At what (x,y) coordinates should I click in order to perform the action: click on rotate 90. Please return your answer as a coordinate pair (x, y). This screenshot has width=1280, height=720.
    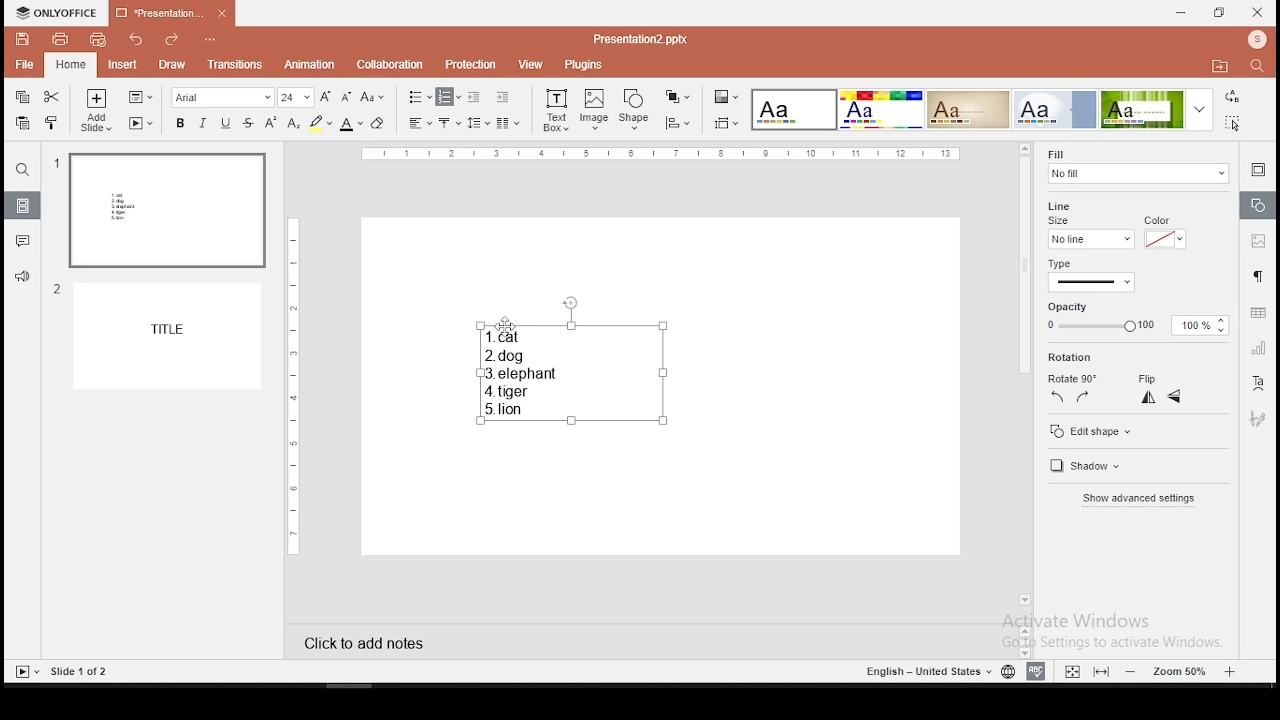
    Looking at the image, I should click on (1074, 375).